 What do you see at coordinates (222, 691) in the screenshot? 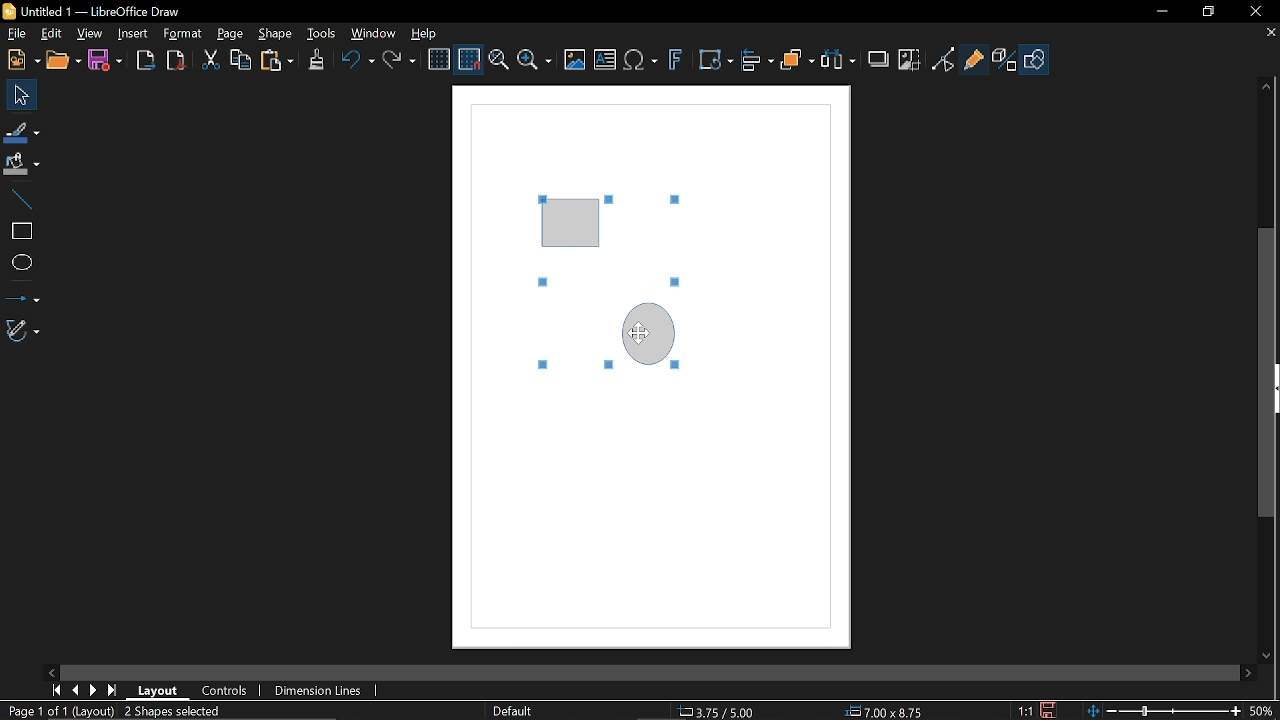
I see `Controls` at bounding box center [222, 691].